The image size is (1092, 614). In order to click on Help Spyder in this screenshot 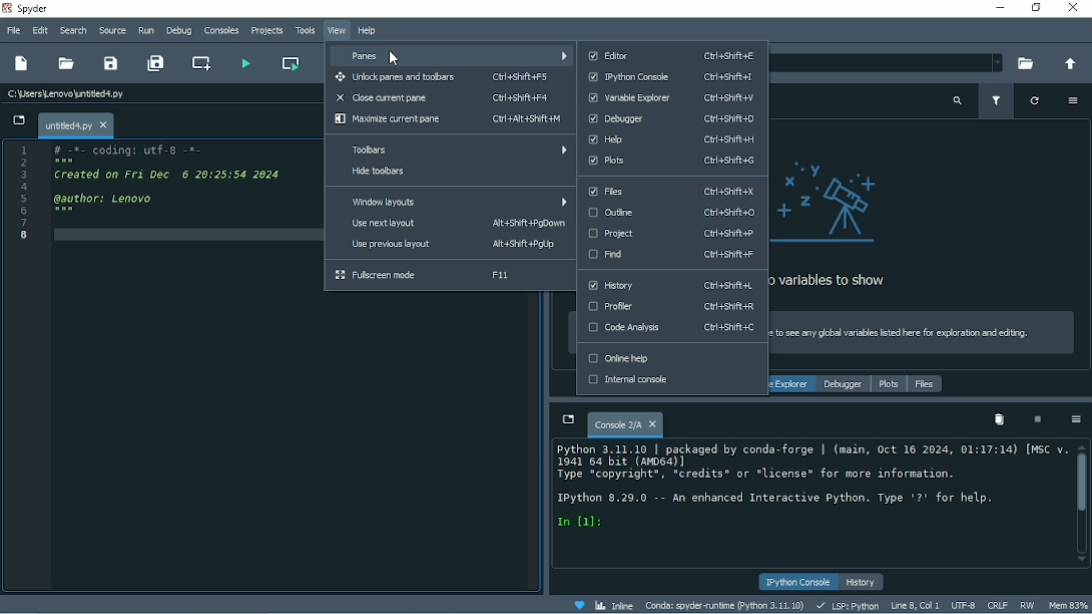, I will do `click(578, 605)`.